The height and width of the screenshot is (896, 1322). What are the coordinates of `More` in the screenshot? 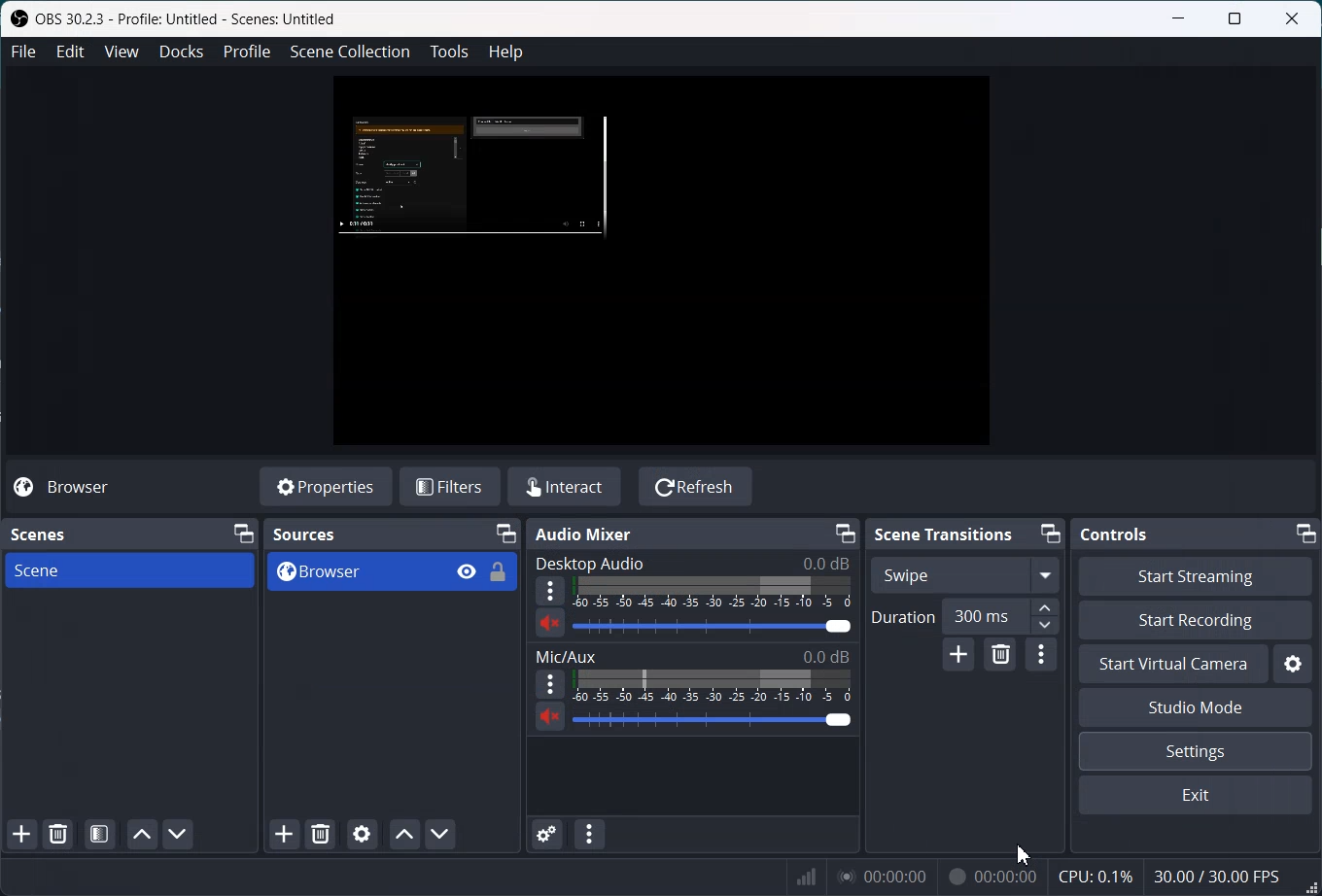 It's located at (550, 684).